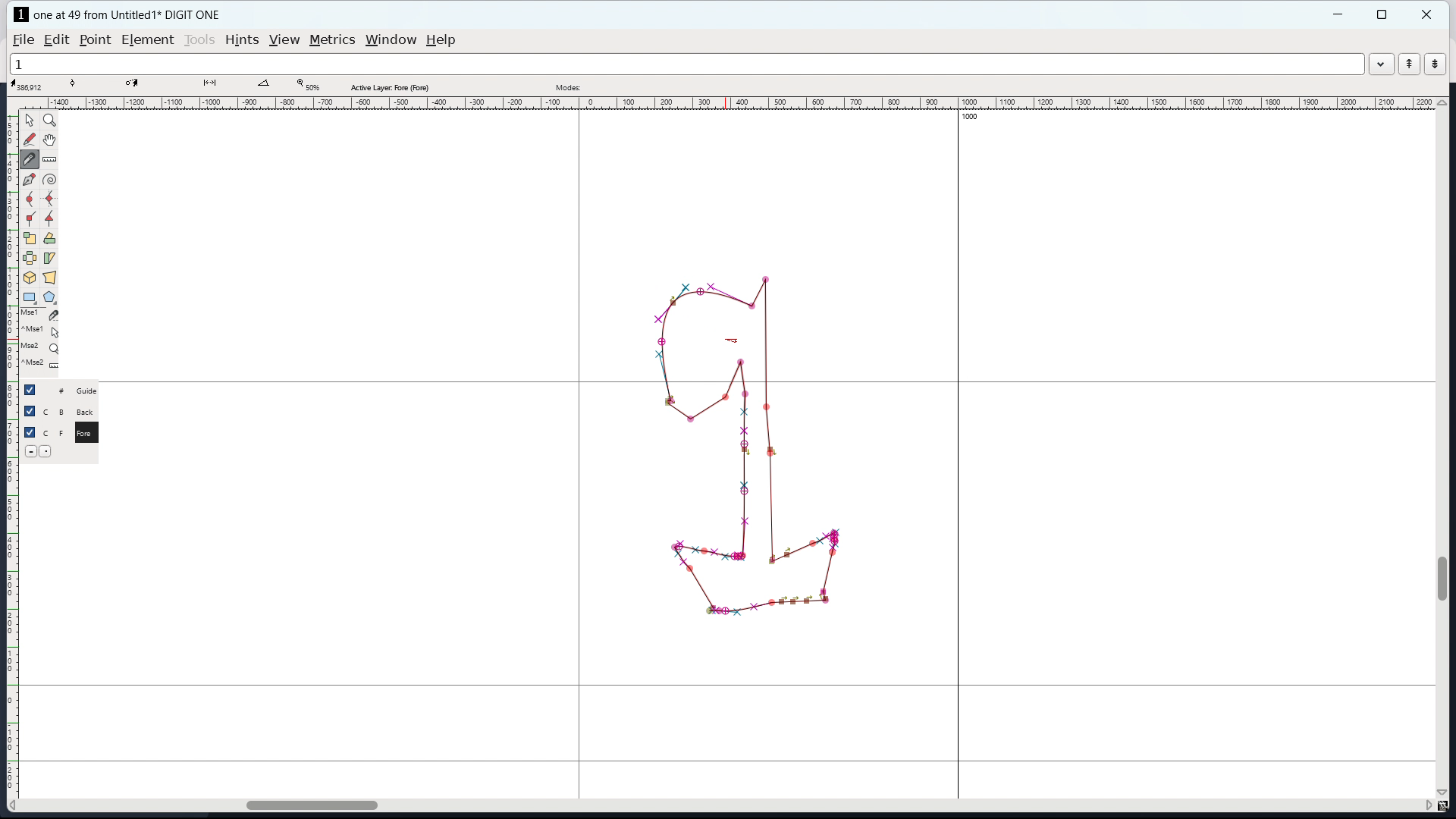  Describe the element at coordinates (53, 158) in the screenshot. I see `measurendistance, angle between points` at that location.